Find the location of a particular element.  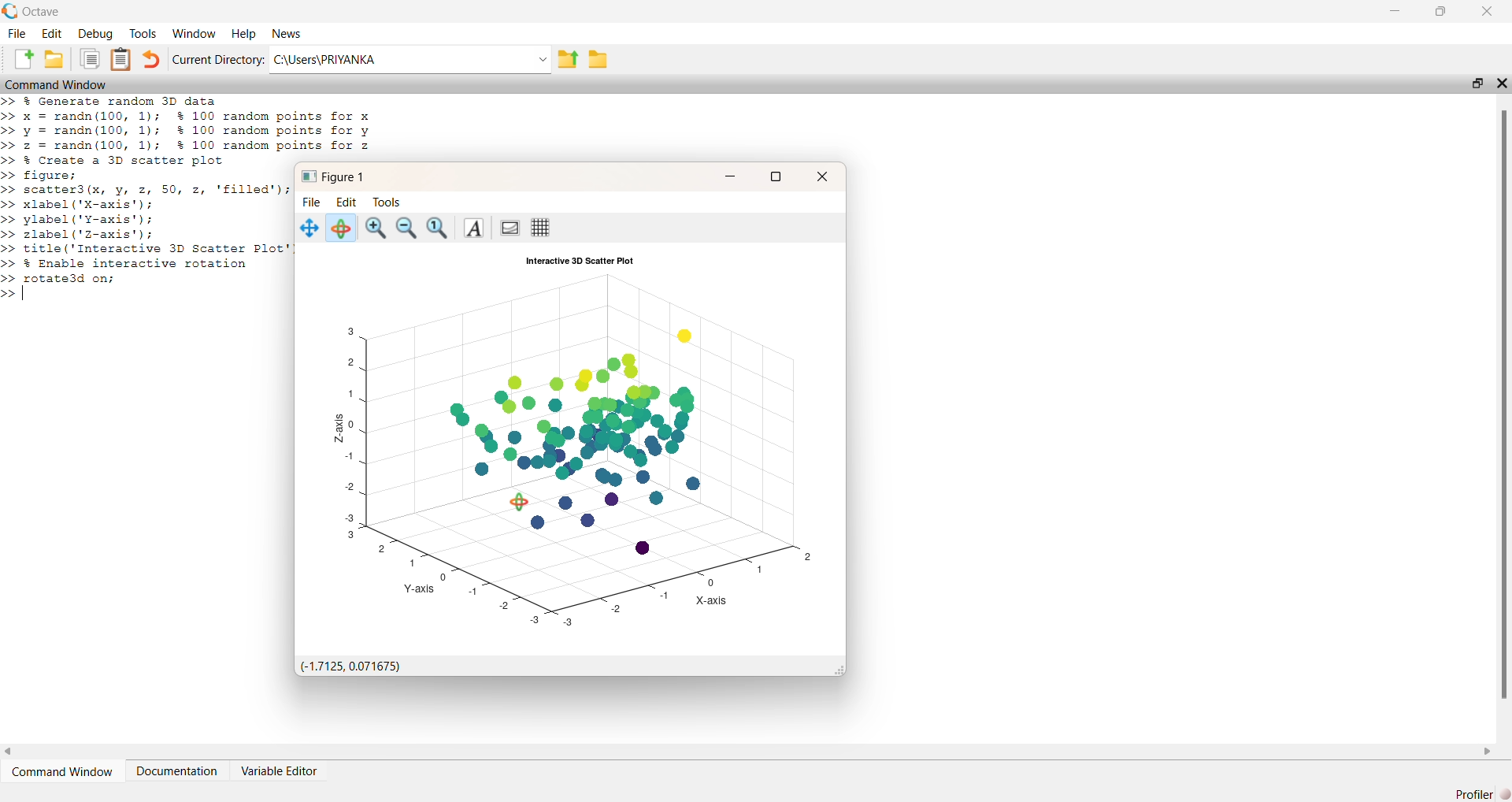

Variable Editor is located at coordinates (280, 770).